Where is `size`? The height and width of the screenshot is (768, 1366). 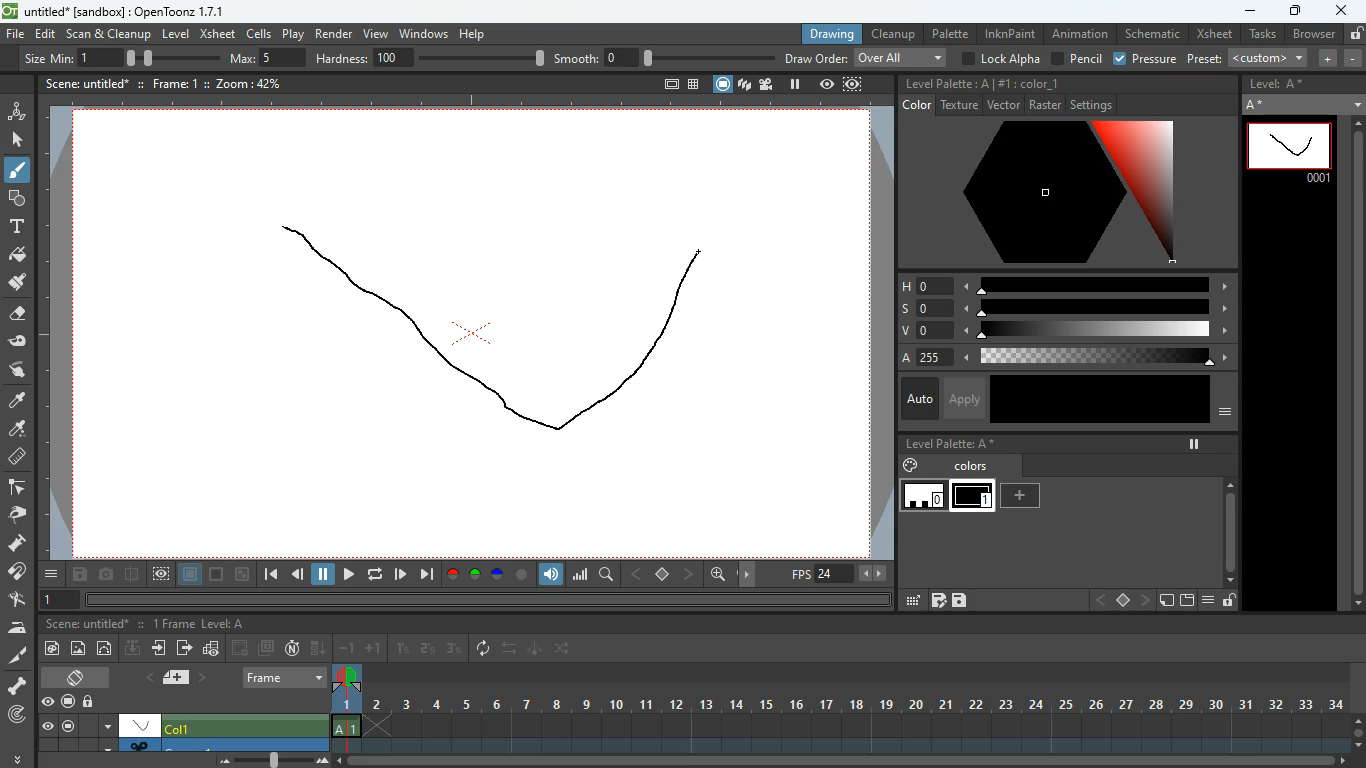 size is located at coordinates (166, 57).